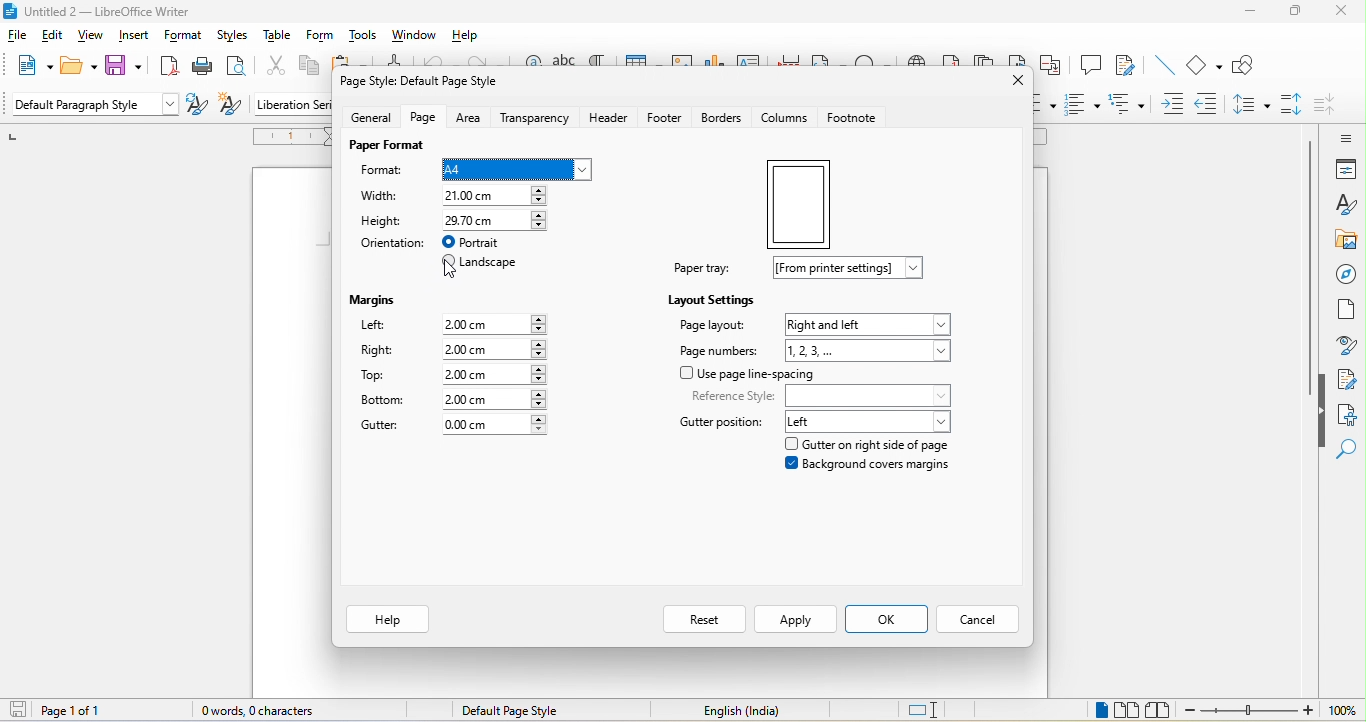 The height and width of the screenshot is (722, 1366). Describe the element at coordinates (871, 419) in the screenshot. I see `left` at that location.